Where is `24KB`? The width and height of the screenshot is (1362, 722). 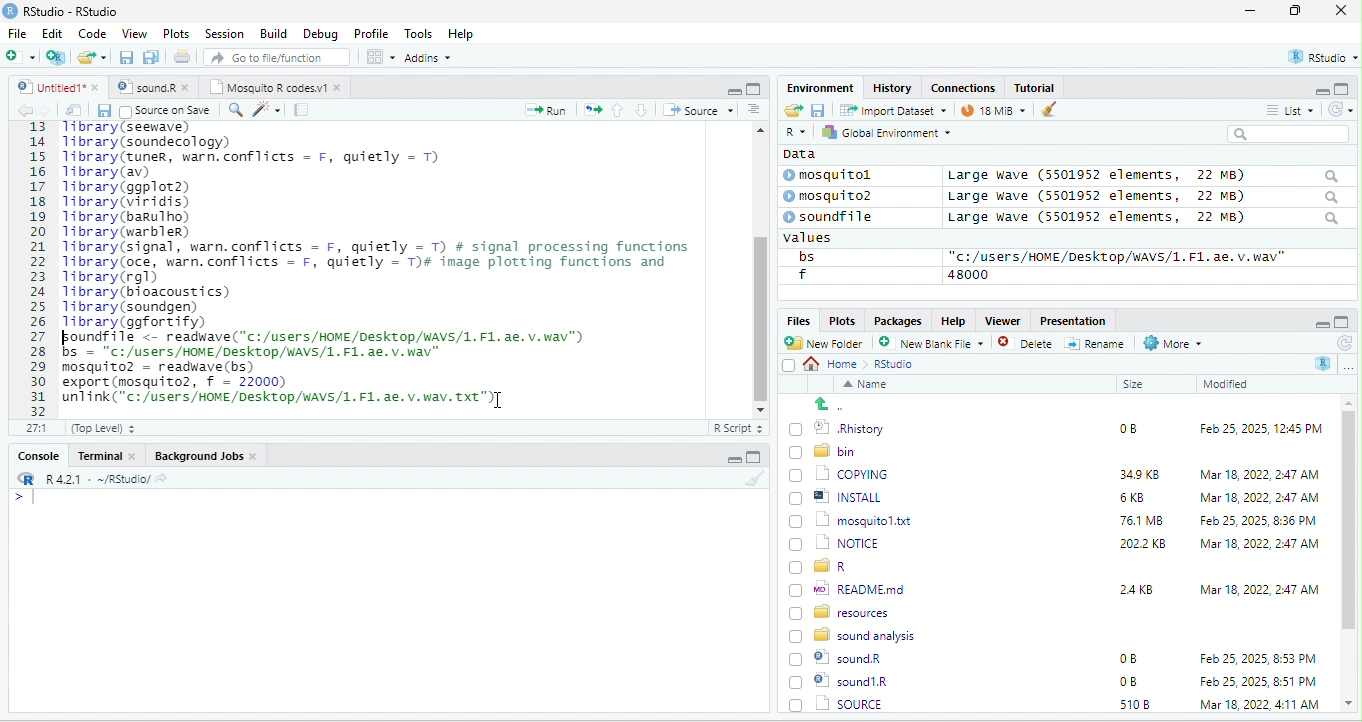 24KB is located at coordinates (1133, 588).